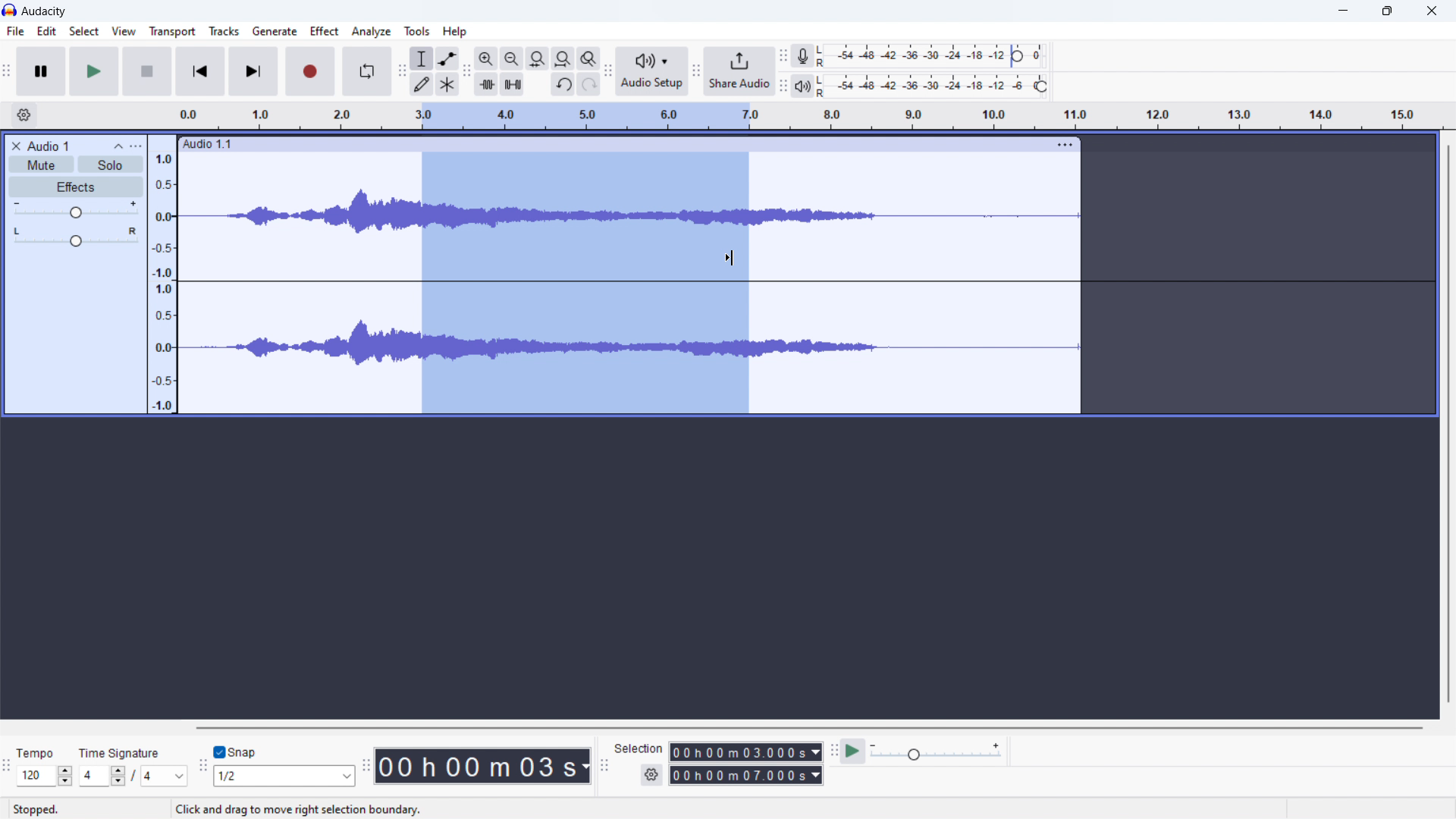  I want to click on pan: centre, so click(76, 240).